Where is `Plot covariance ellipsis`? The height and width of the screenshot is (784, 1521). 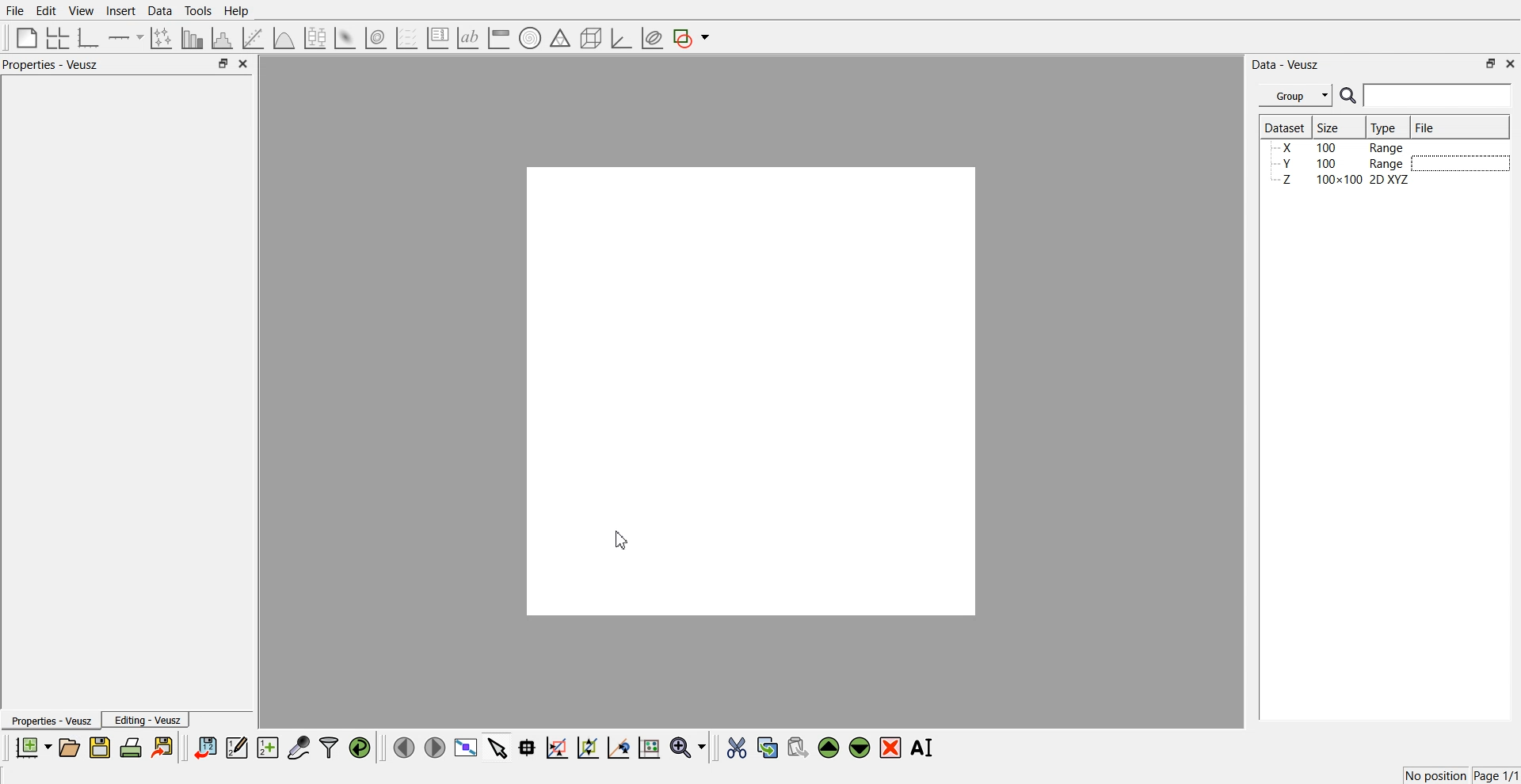 Plot covariance ellipsis is located at coordinates (653, 39).